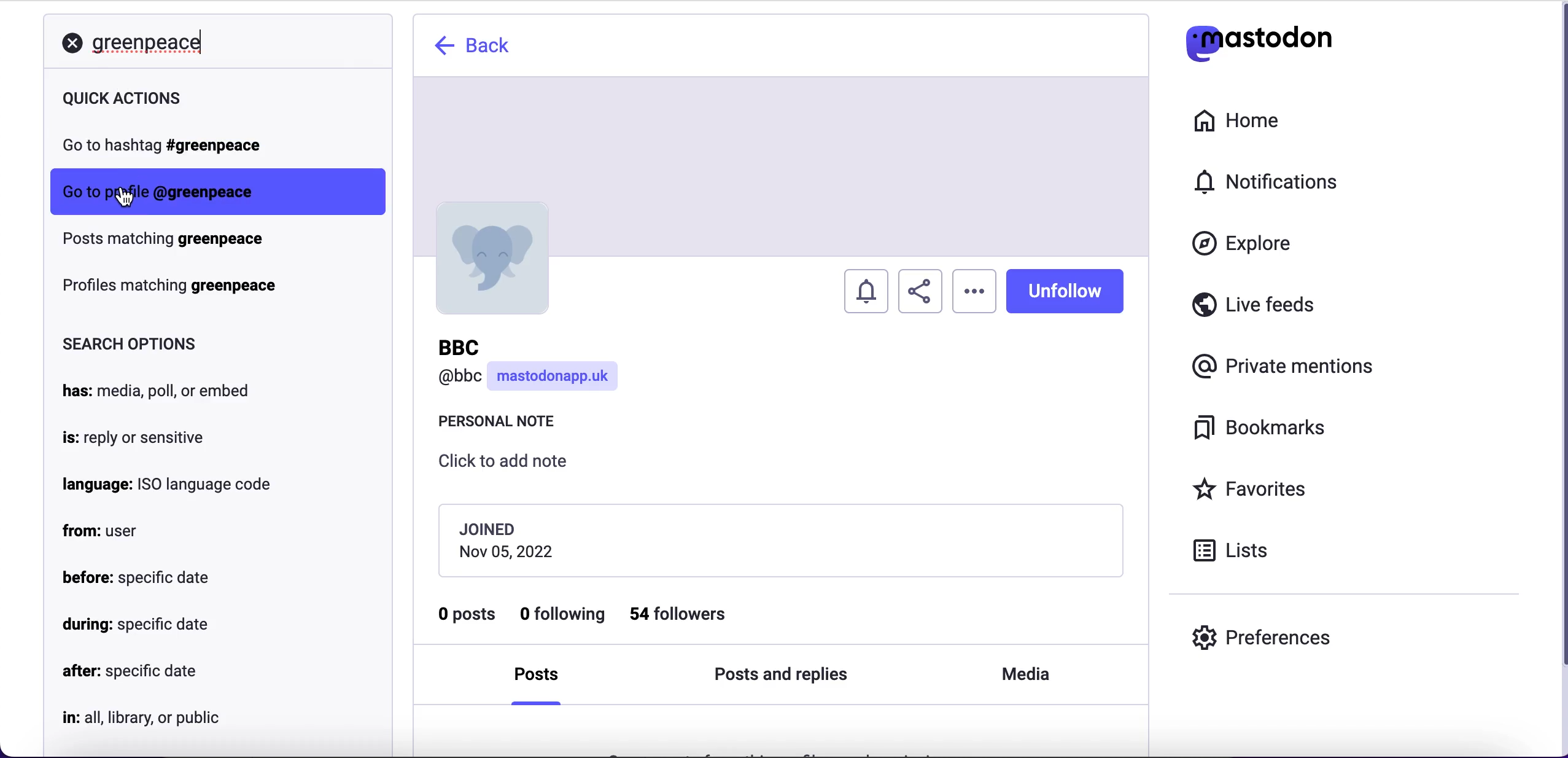  What do you see at coordinates (468, 619) in the screenshot?
I see `0 posts` at bounding box center [468, 619].